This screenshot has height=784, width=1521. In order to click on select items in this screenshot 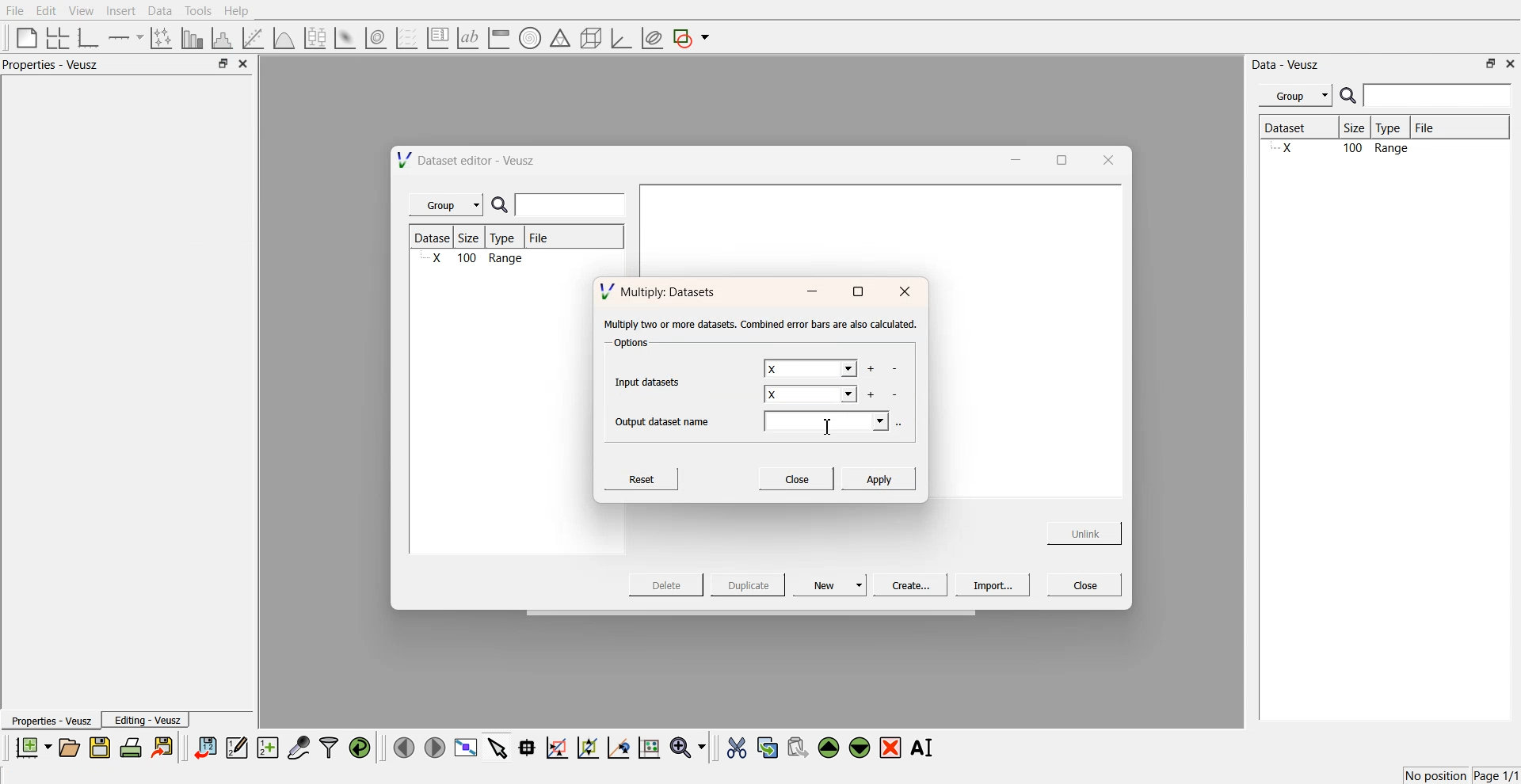, I will do `click(497, 747)`.